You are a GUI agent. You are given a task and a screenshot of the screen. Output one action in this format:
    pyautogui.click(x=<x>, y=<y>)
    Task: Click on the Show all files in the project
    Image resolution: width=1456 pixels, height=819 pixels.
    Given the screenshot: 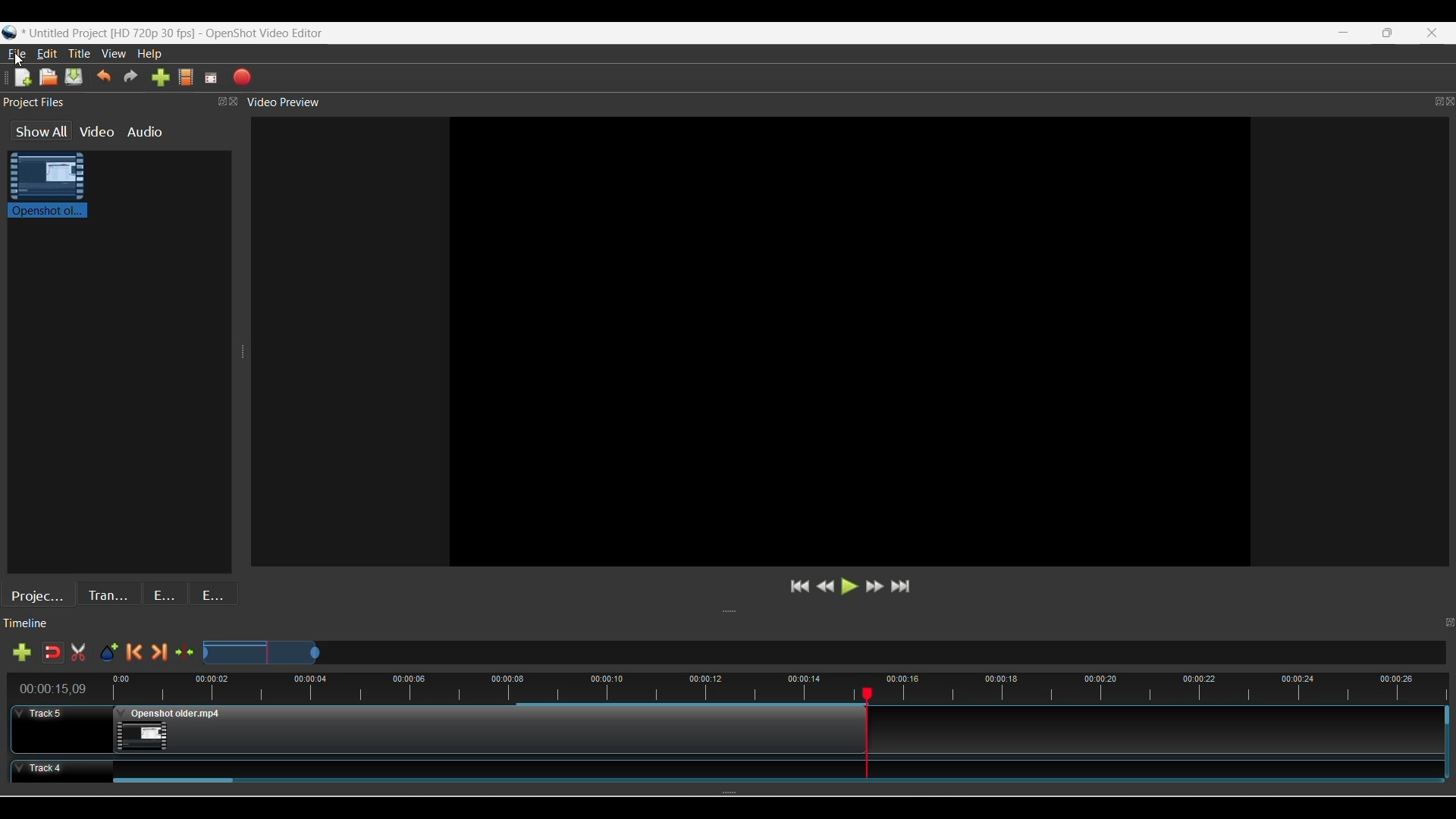 What is the action you would take?
    pyautogui.click(x=41, y=130)
    